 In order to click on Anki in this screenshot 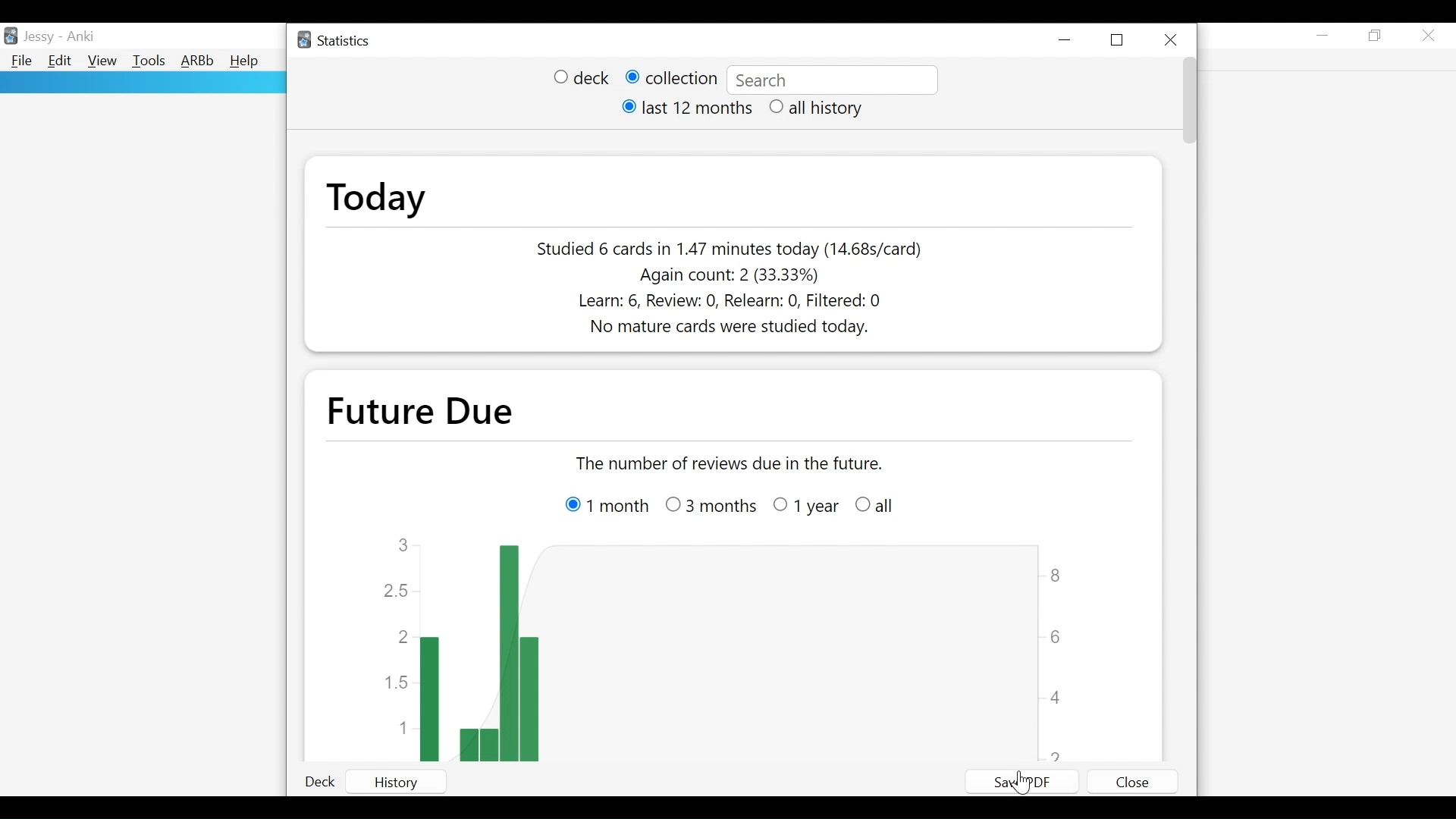, I will do `click(80, 37)`.